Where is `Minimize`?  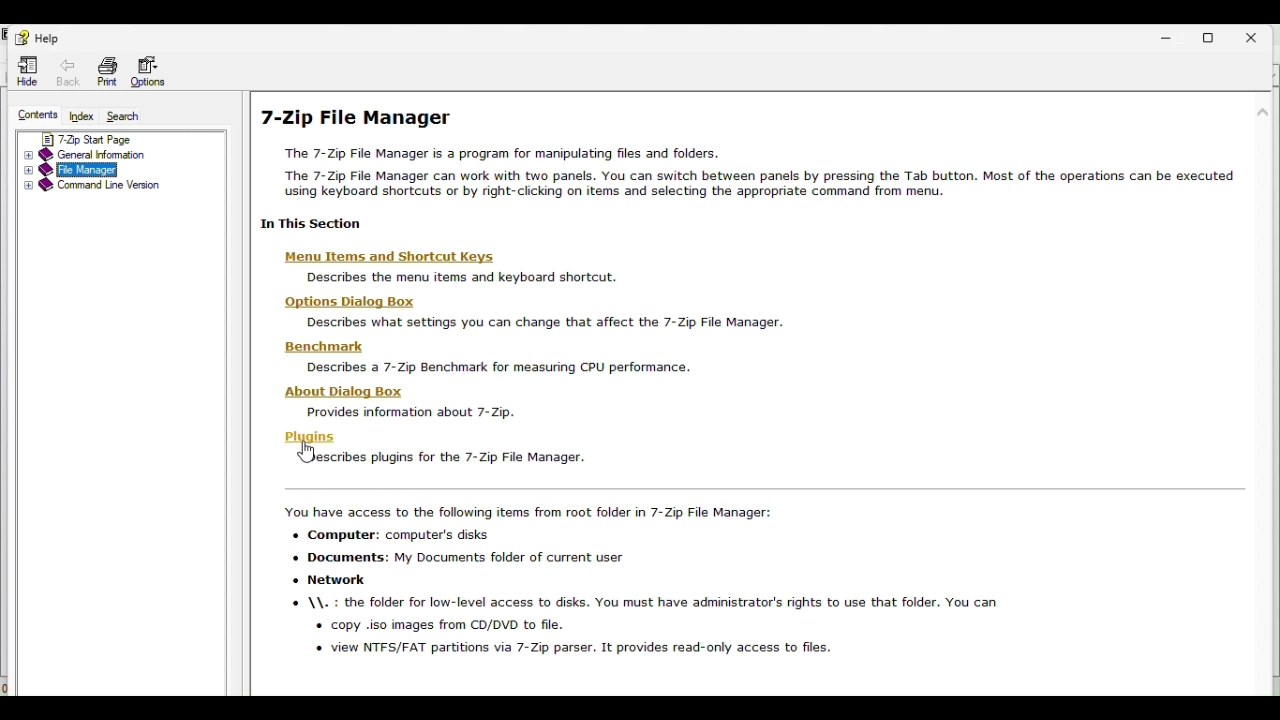
Minimize is located at coordinates (1169, 37).